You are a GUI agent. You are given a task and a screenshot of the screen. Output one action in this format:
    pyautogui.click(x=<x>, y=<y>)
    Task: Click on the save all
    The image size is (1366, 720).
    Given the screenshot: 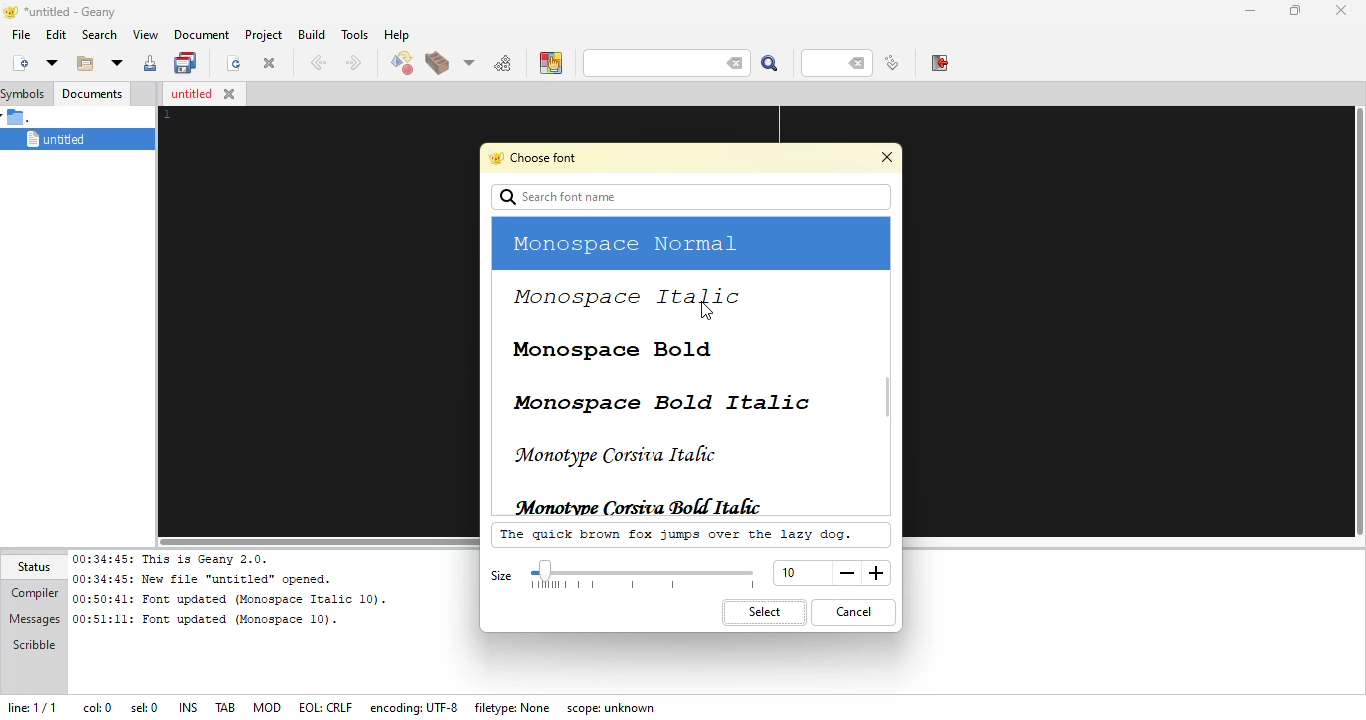 What is the action you would take?
    pyautogui.click(x=187, y=61)
    